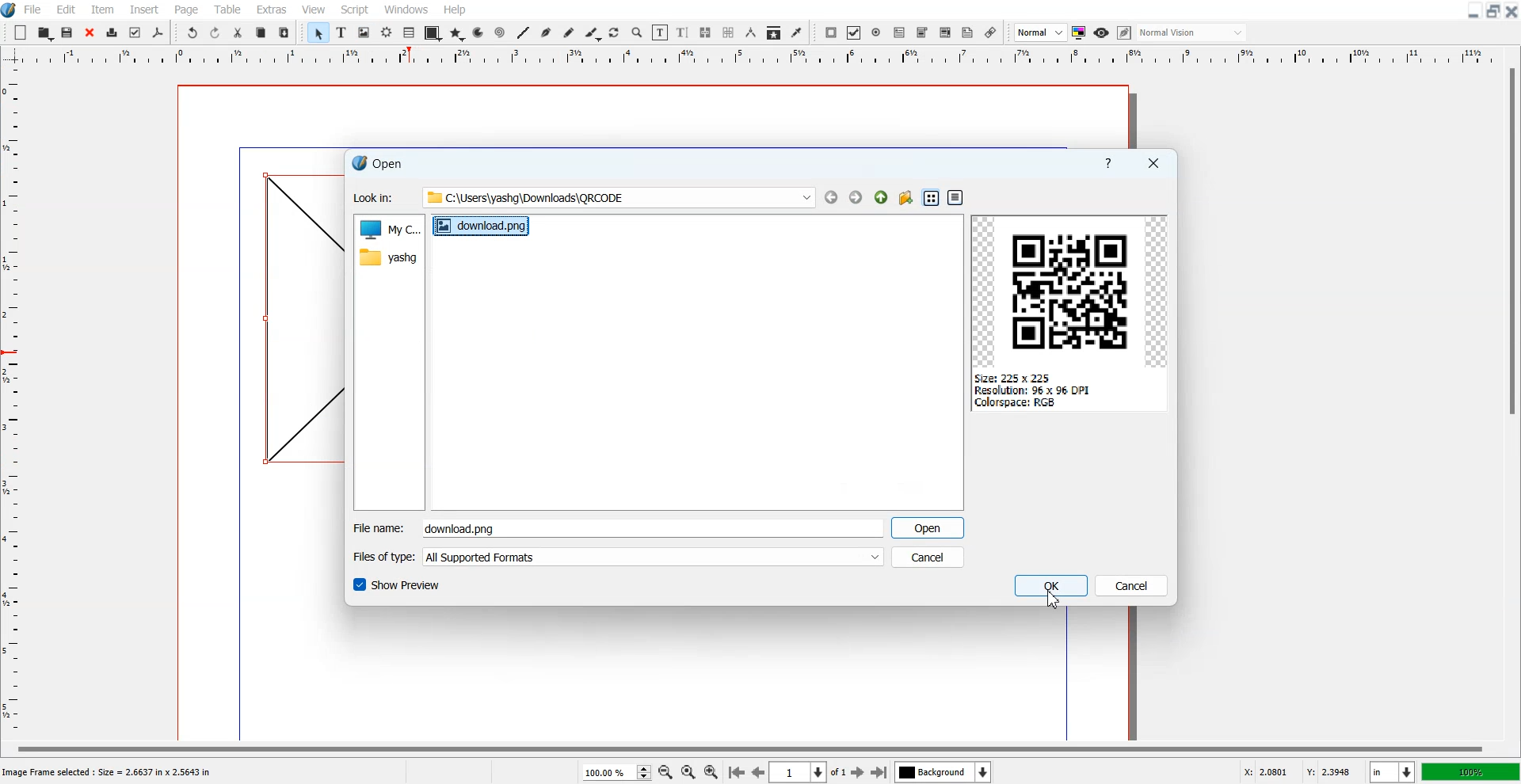  Describe the element at coordinates (284, 32) in the screenshot. I see `Paste` at that location.